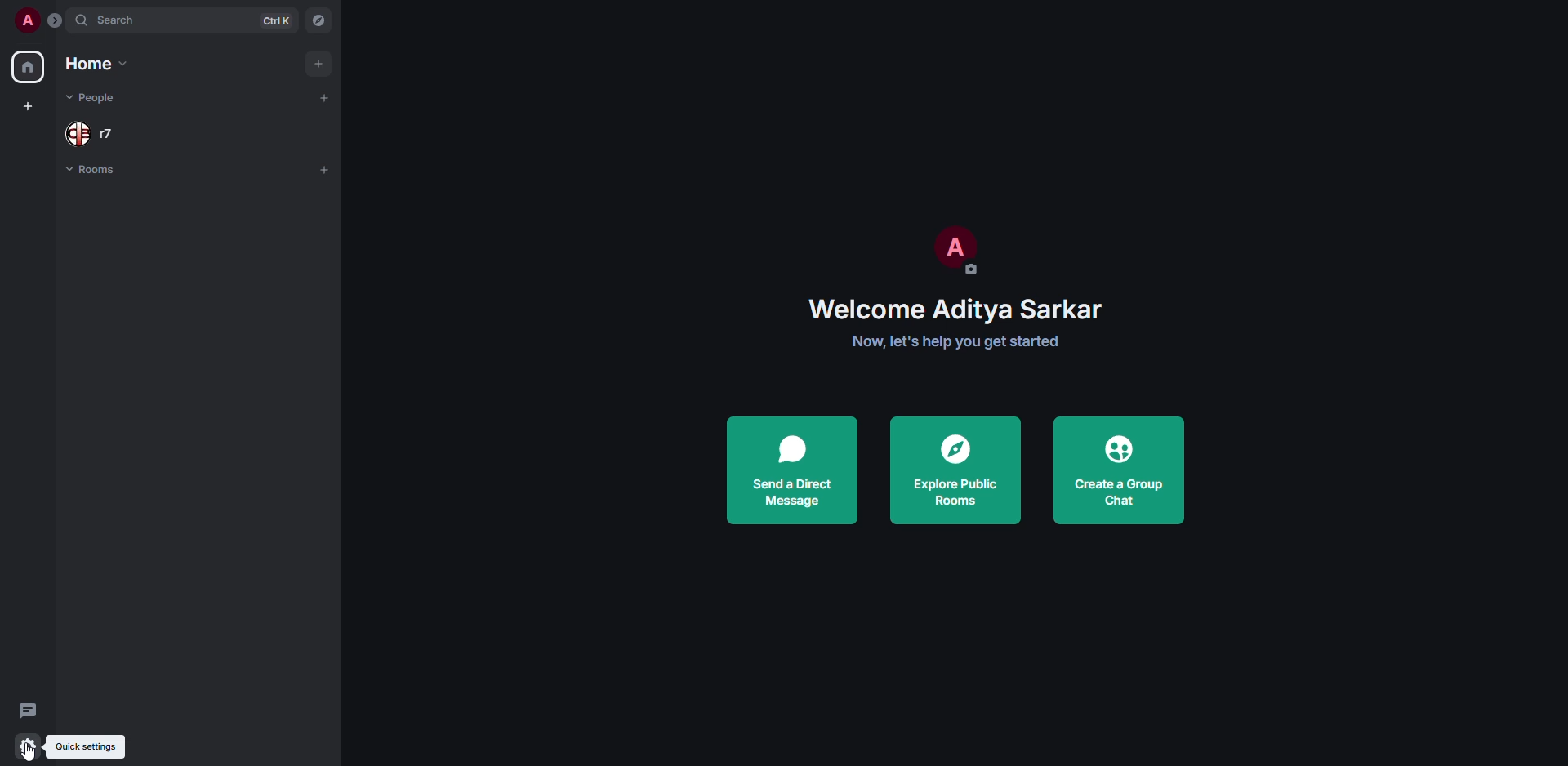 The height and width of the screenshot is (766, 1568). Describe the element at coordinates (93, 64) in the screenshot. I see `home` at that location.